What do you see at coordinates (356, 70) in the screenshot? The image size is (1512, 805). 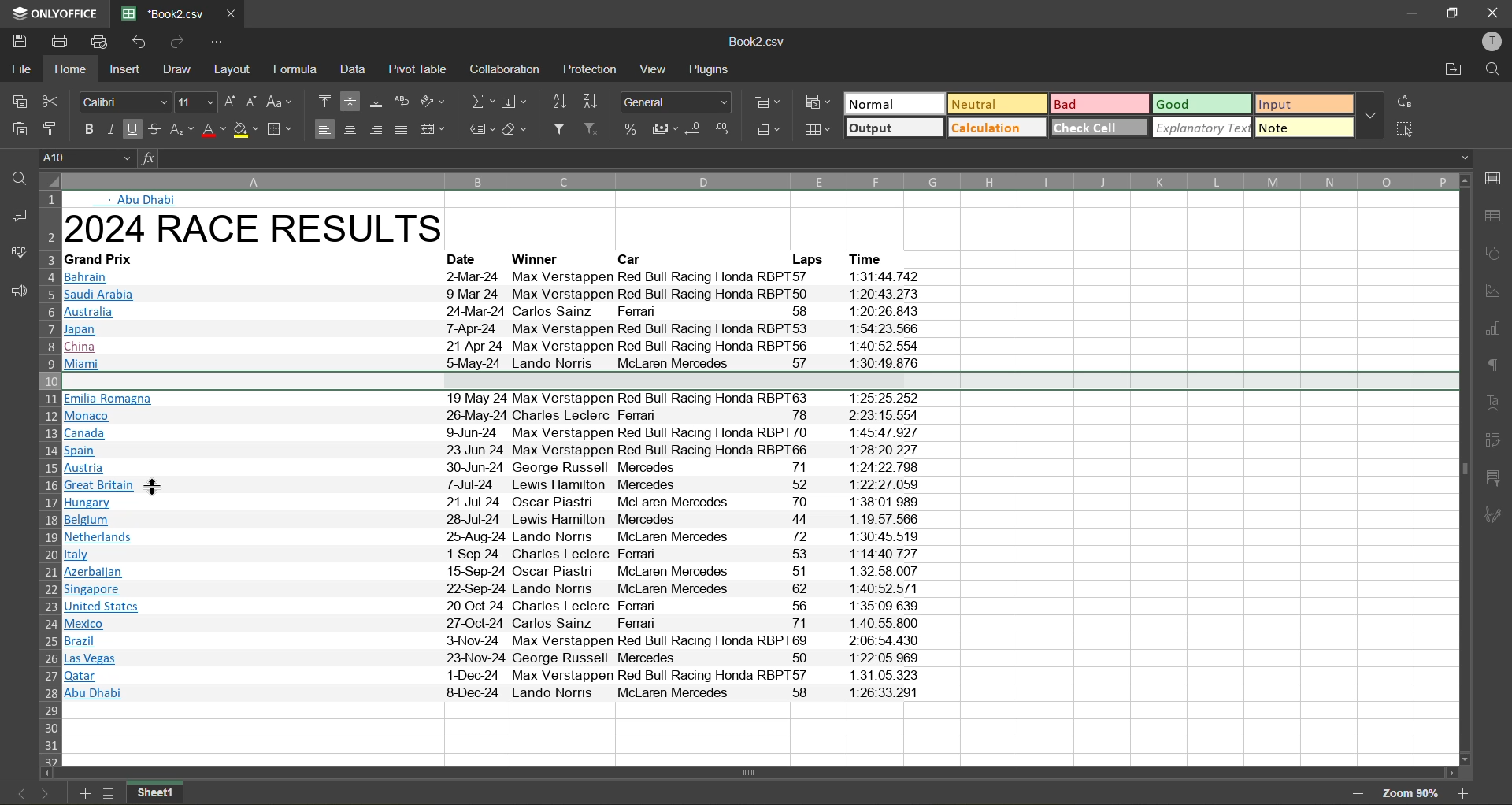 I see `data` at bounding box center [356, 70].